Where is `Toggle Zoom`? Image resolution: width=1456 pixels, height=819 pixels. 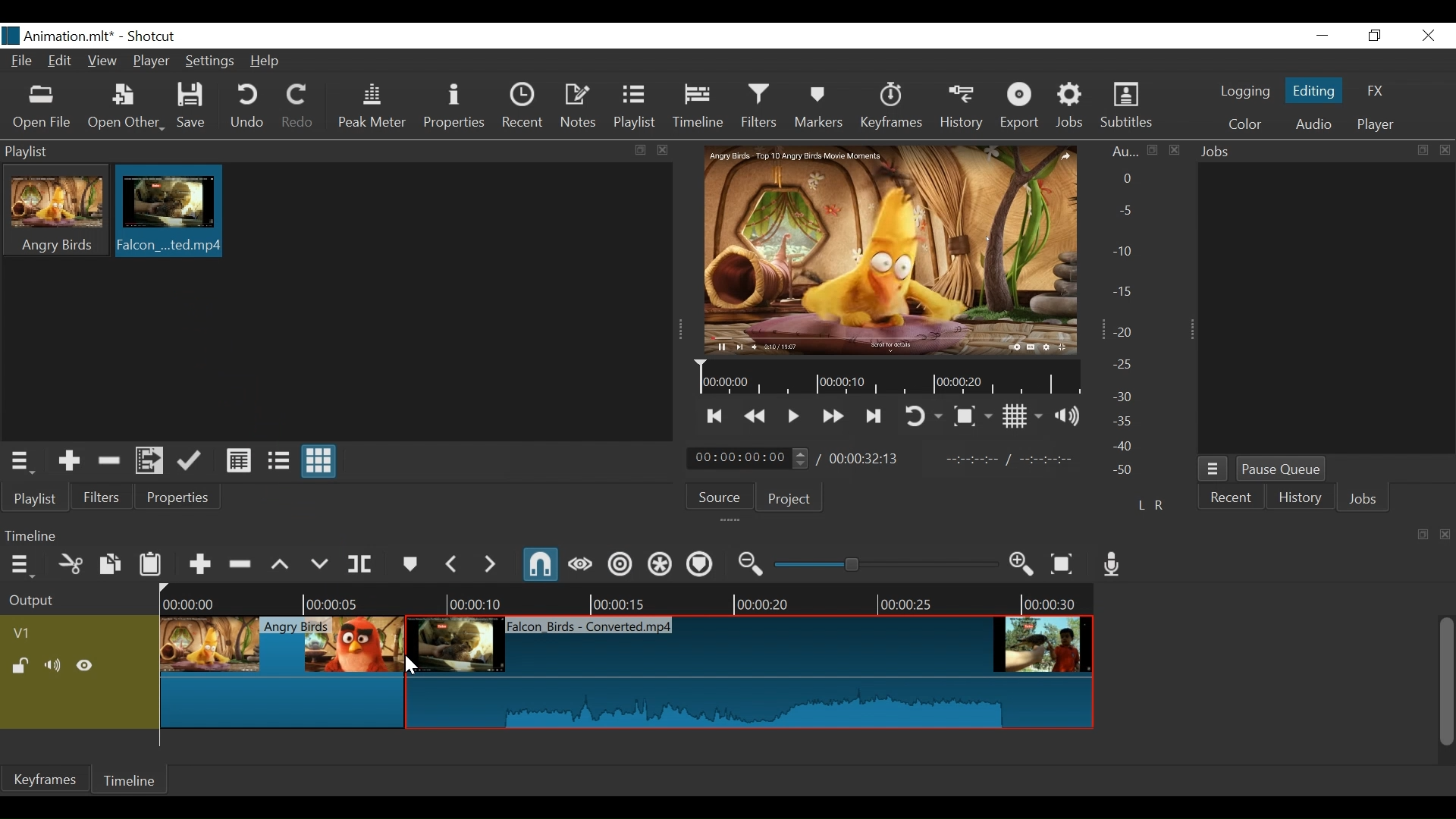
Toggle Zoom is located at coordinates (973, 416).